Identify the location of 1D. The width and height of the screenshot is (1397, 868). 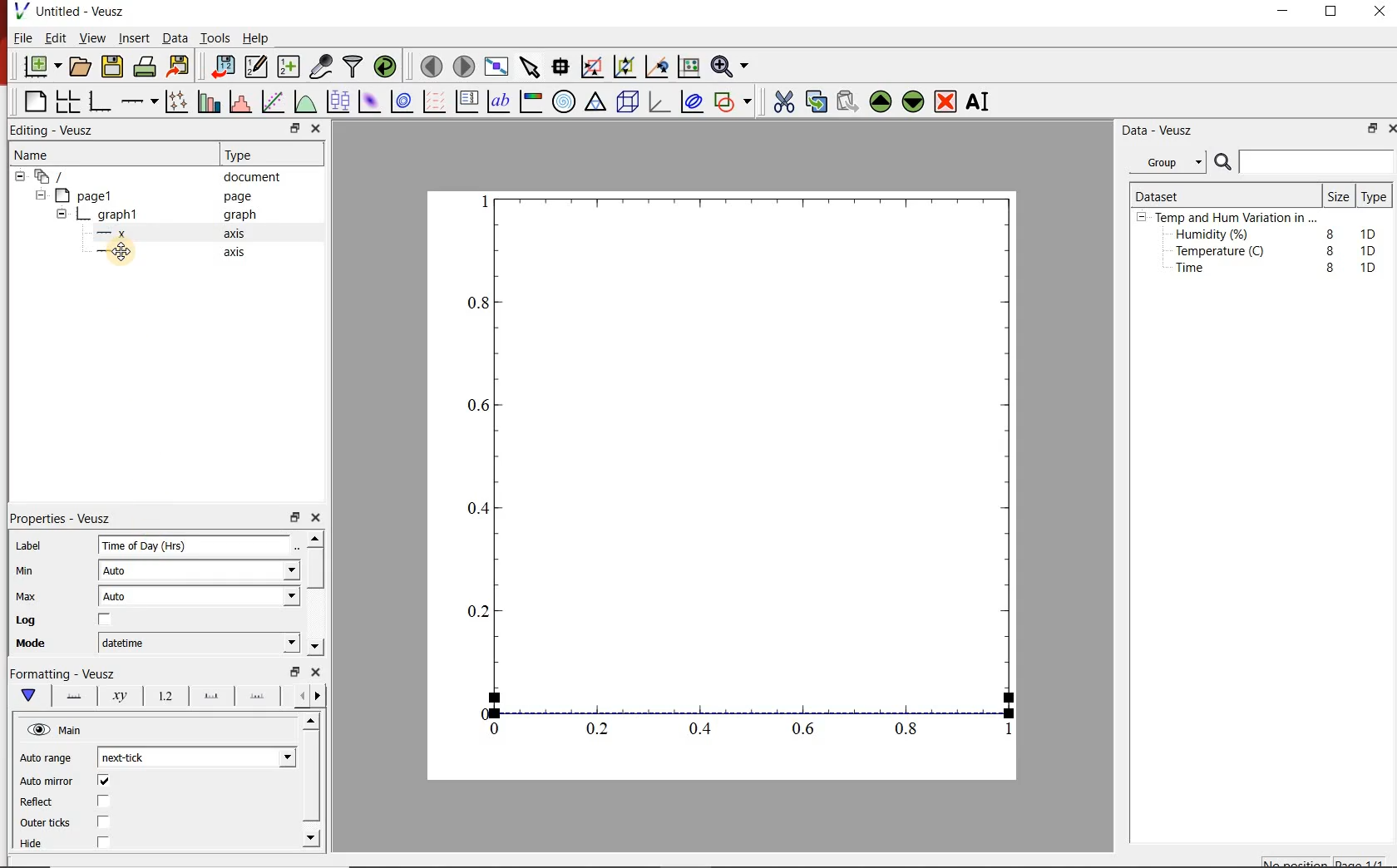
(1373, 250).